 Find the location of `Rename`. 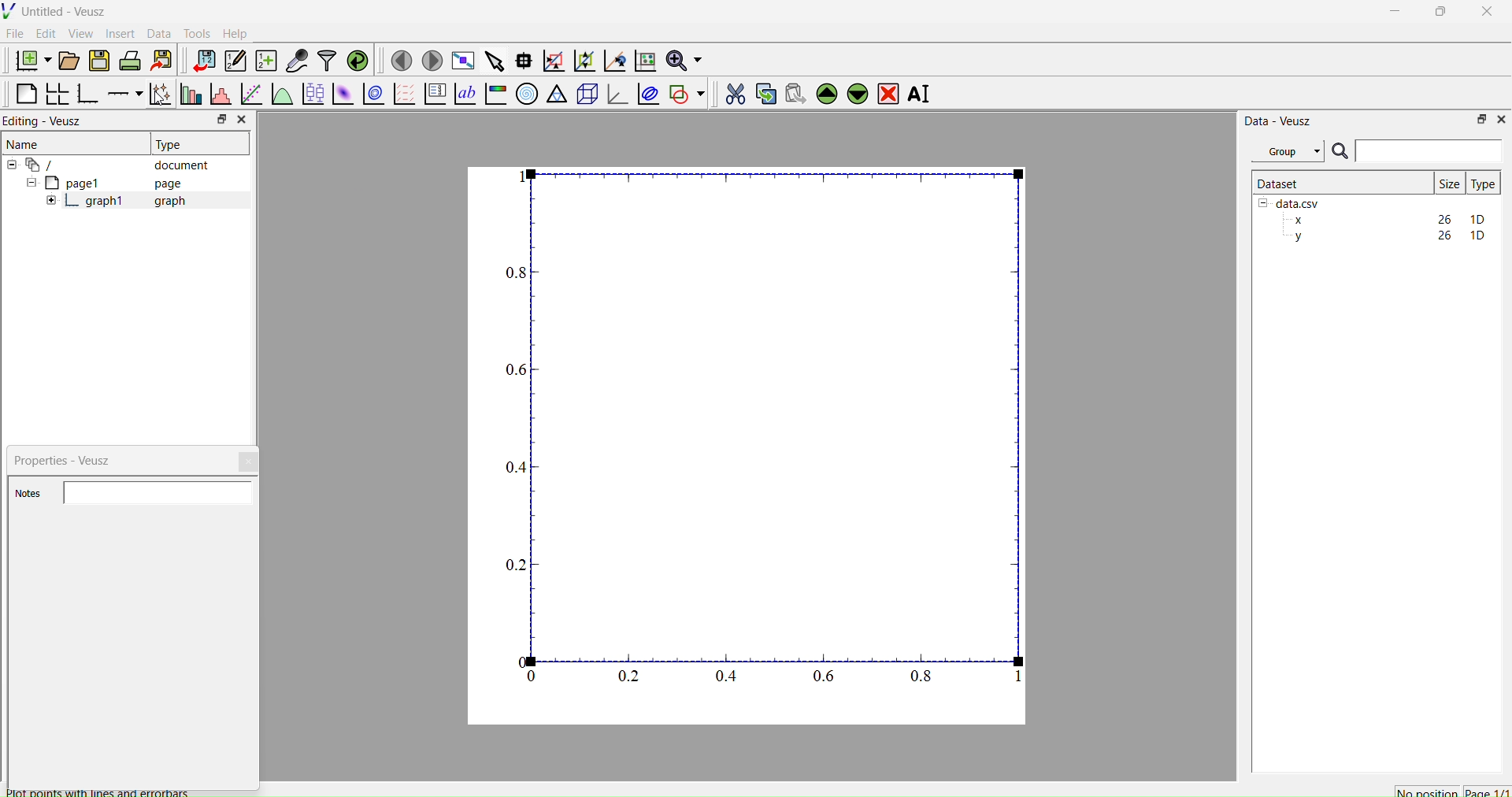

Rename is located at coordinates (922, 94).